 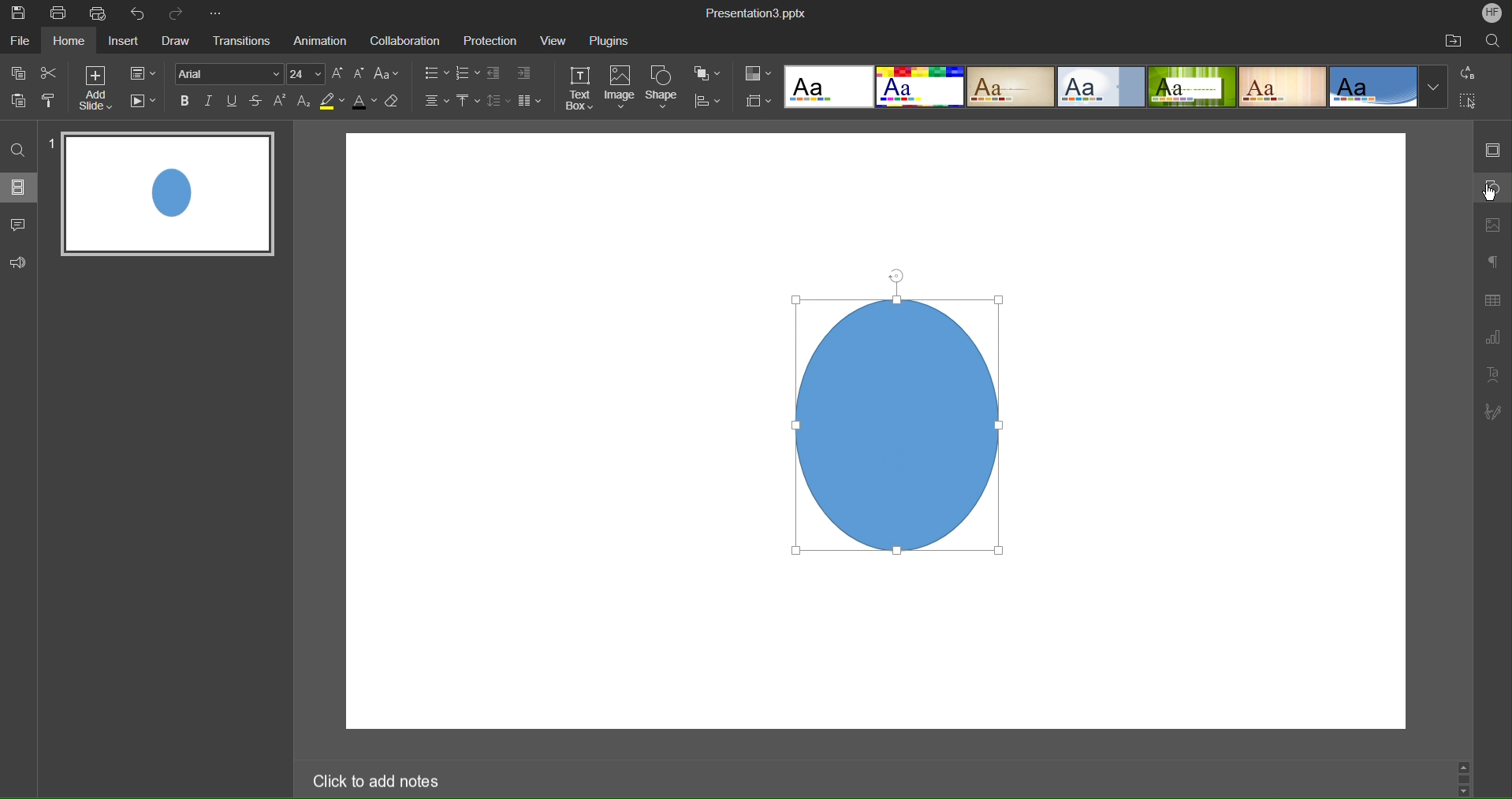 What do you see at coordinates (1493, 43) in the screenshot?
I see `Search` at bounding box center [1493, 43].